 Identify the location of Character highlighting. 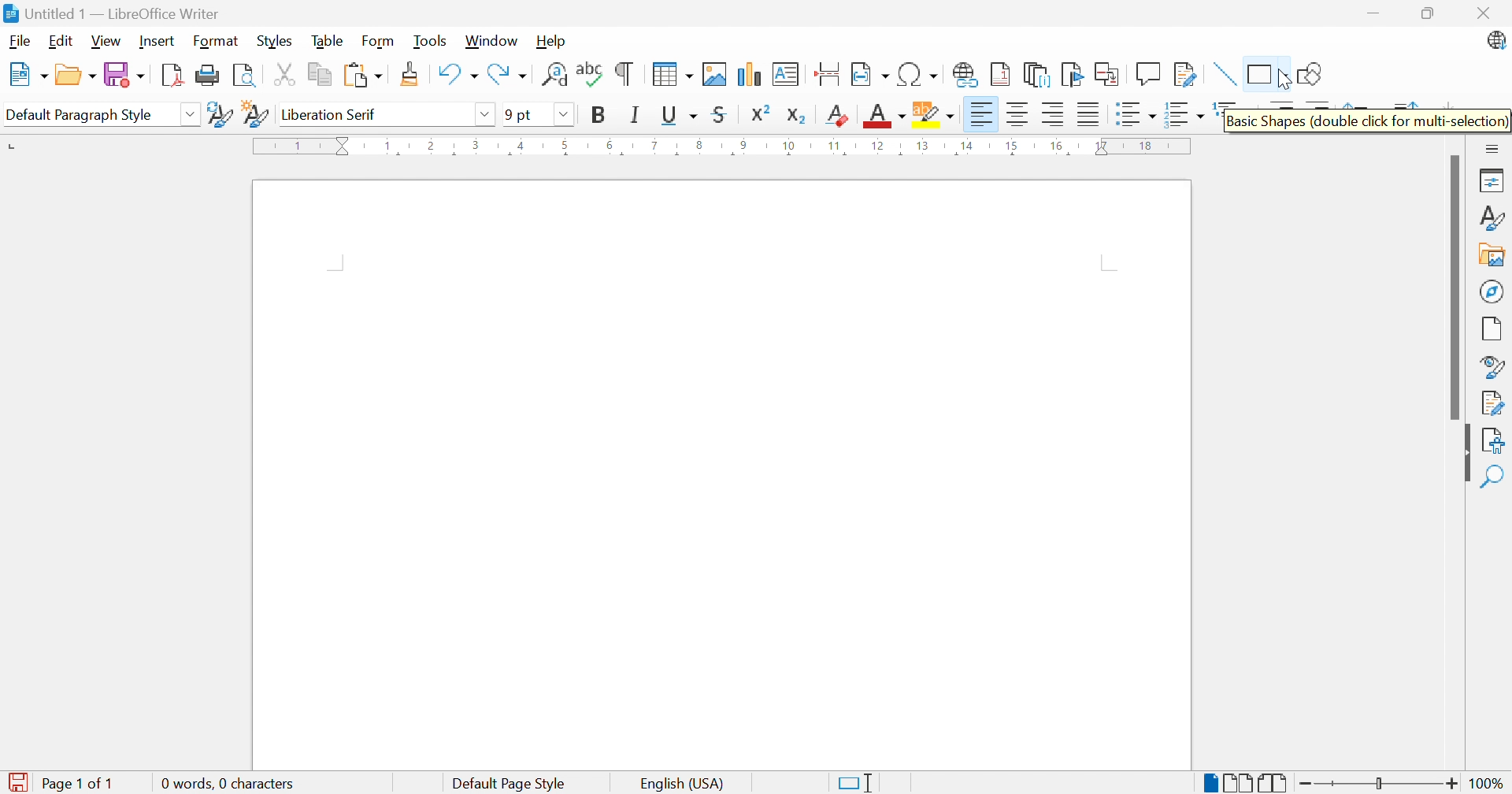
(933, 113).